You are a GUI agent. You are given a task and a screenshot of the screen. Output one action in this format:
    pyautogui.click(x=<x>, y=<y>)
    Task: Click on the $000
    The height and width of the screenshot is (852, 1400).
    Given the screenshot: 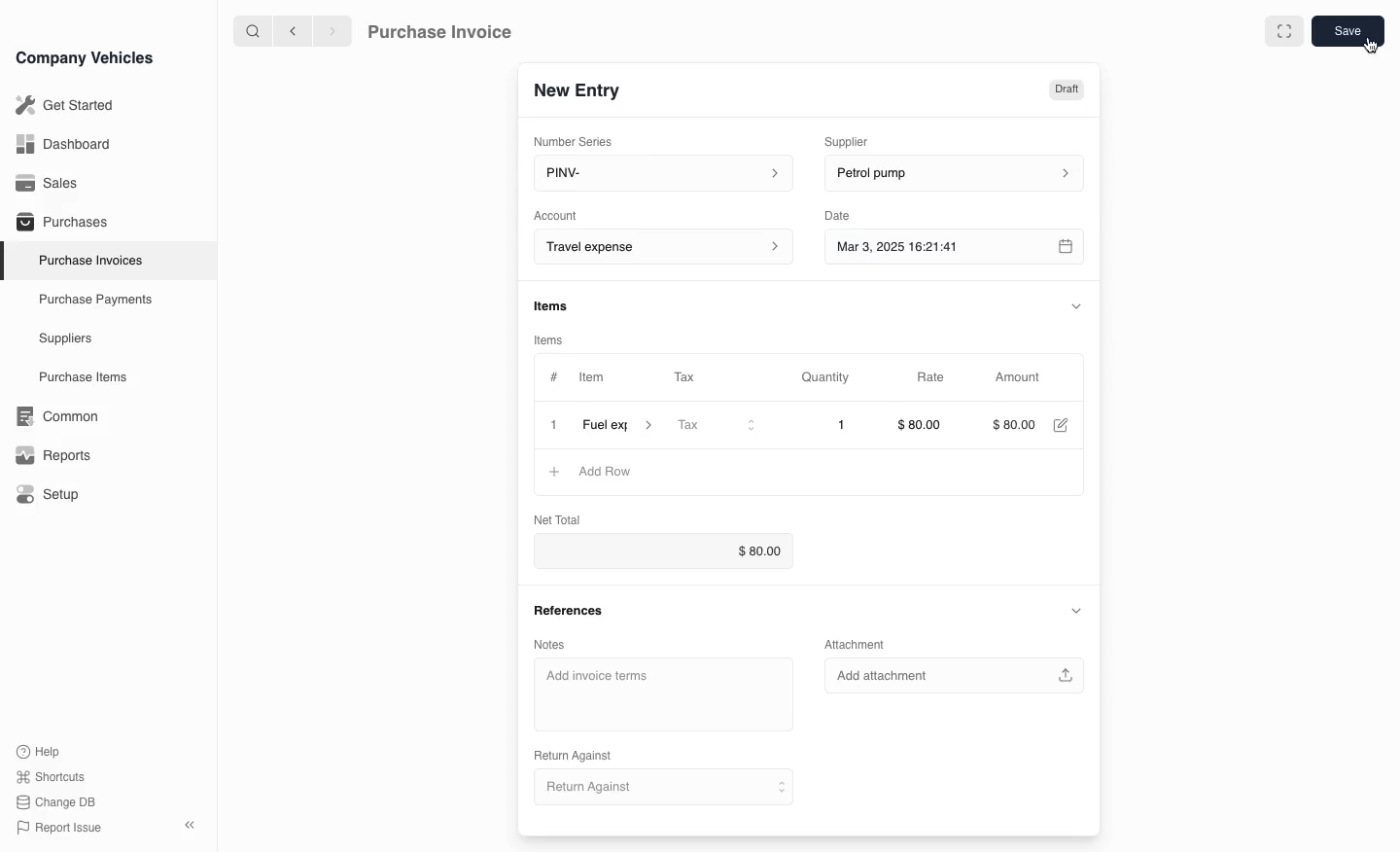 What is the action you would take?
    pyautogui.click(x=1017, y=426)
    